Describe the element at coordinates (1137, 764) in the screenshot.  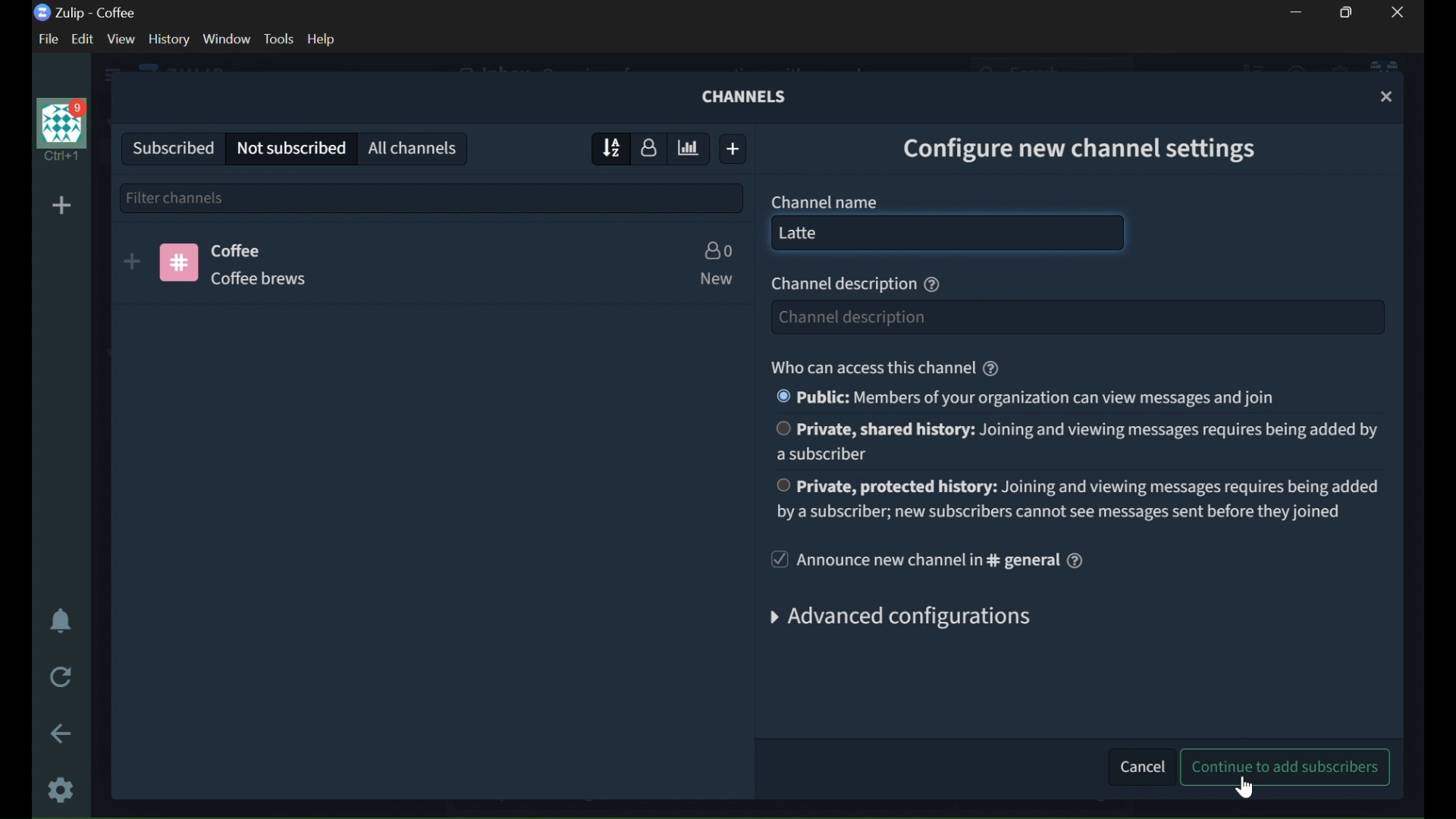
I see `CANCEL` at that location.